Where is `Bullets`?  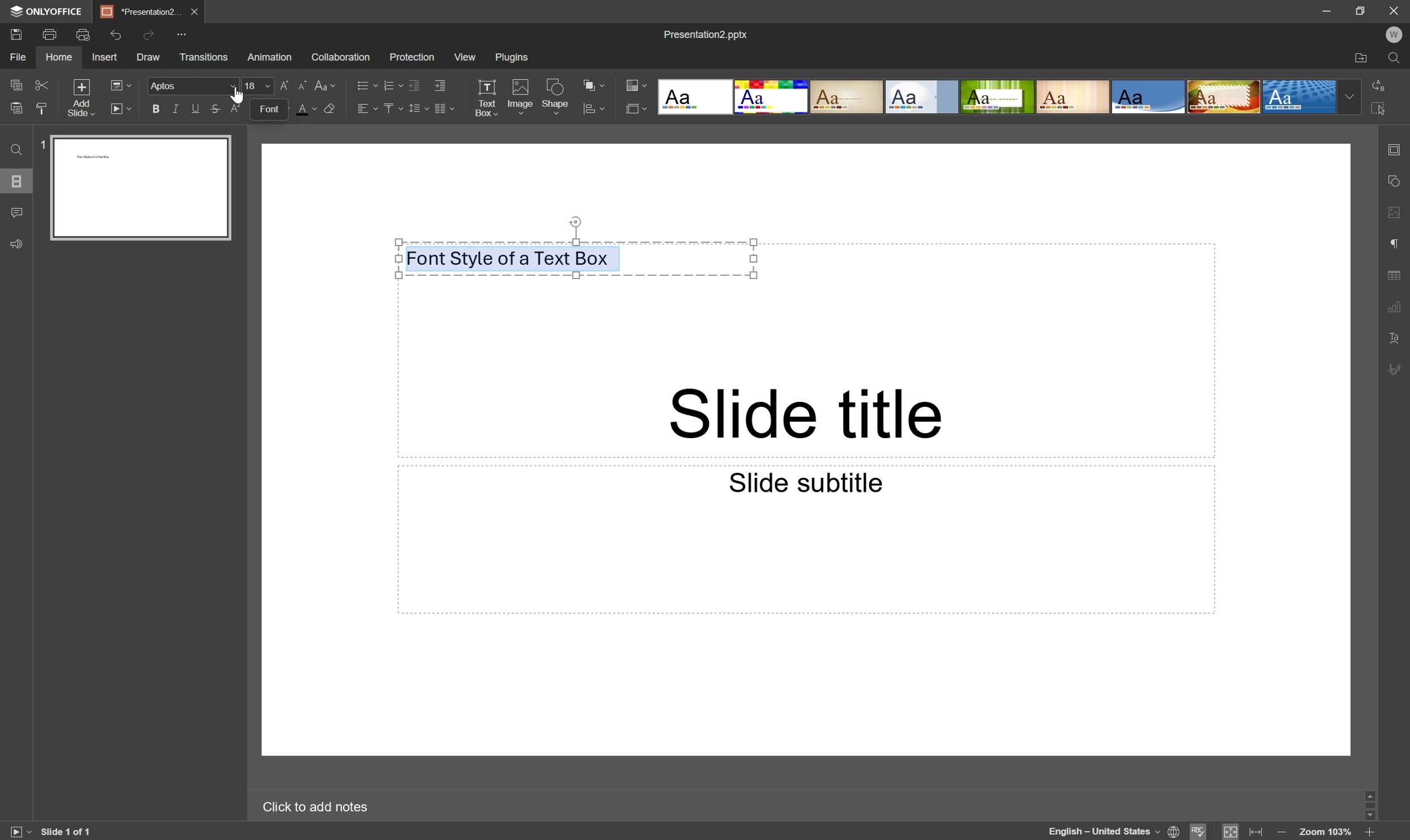 Bullets is located at coordinates (365, 83).